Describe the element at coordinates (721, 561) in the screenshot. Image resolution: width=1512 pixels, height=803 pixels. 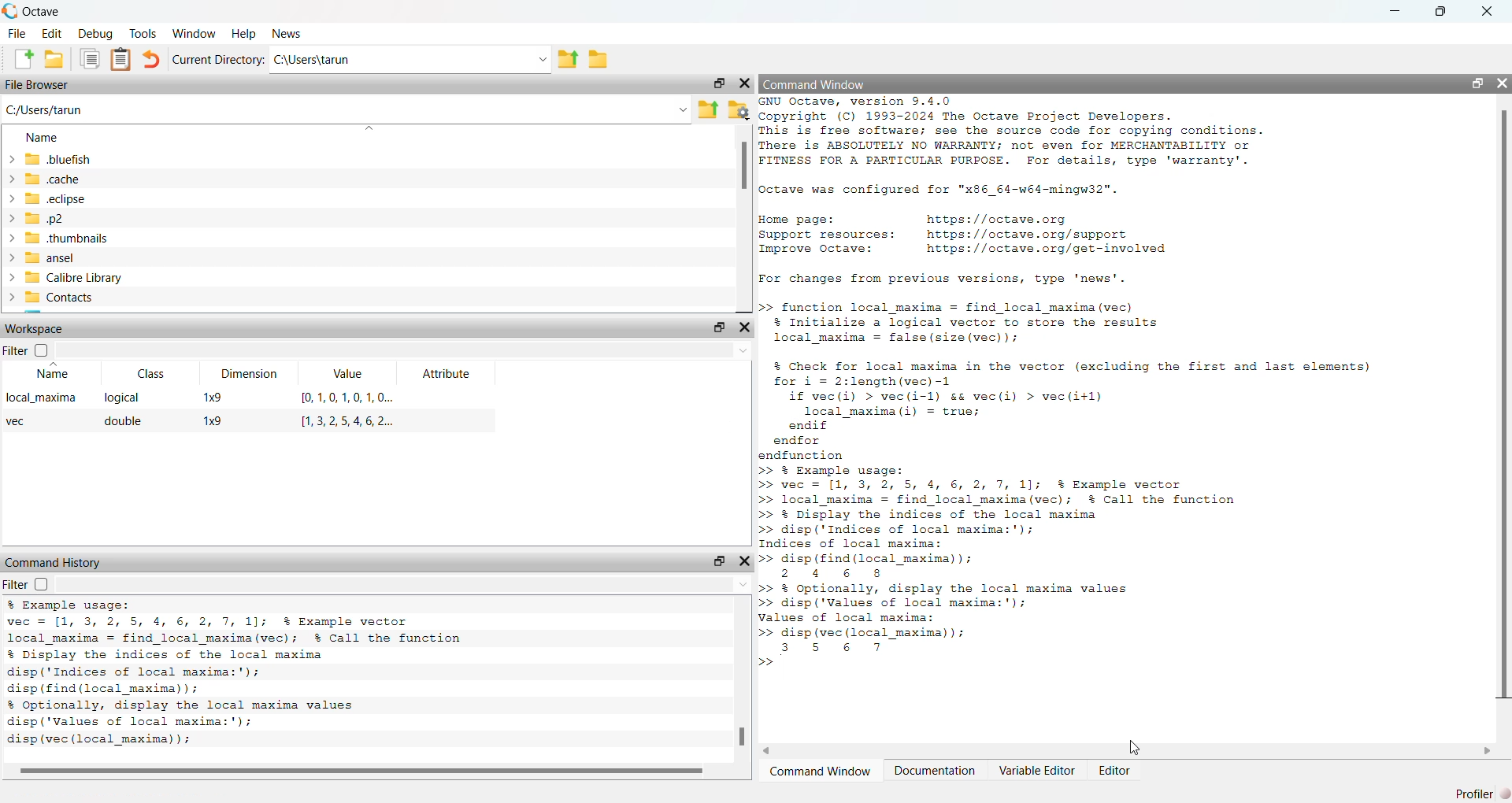
I see `Undock Widget` at that location.